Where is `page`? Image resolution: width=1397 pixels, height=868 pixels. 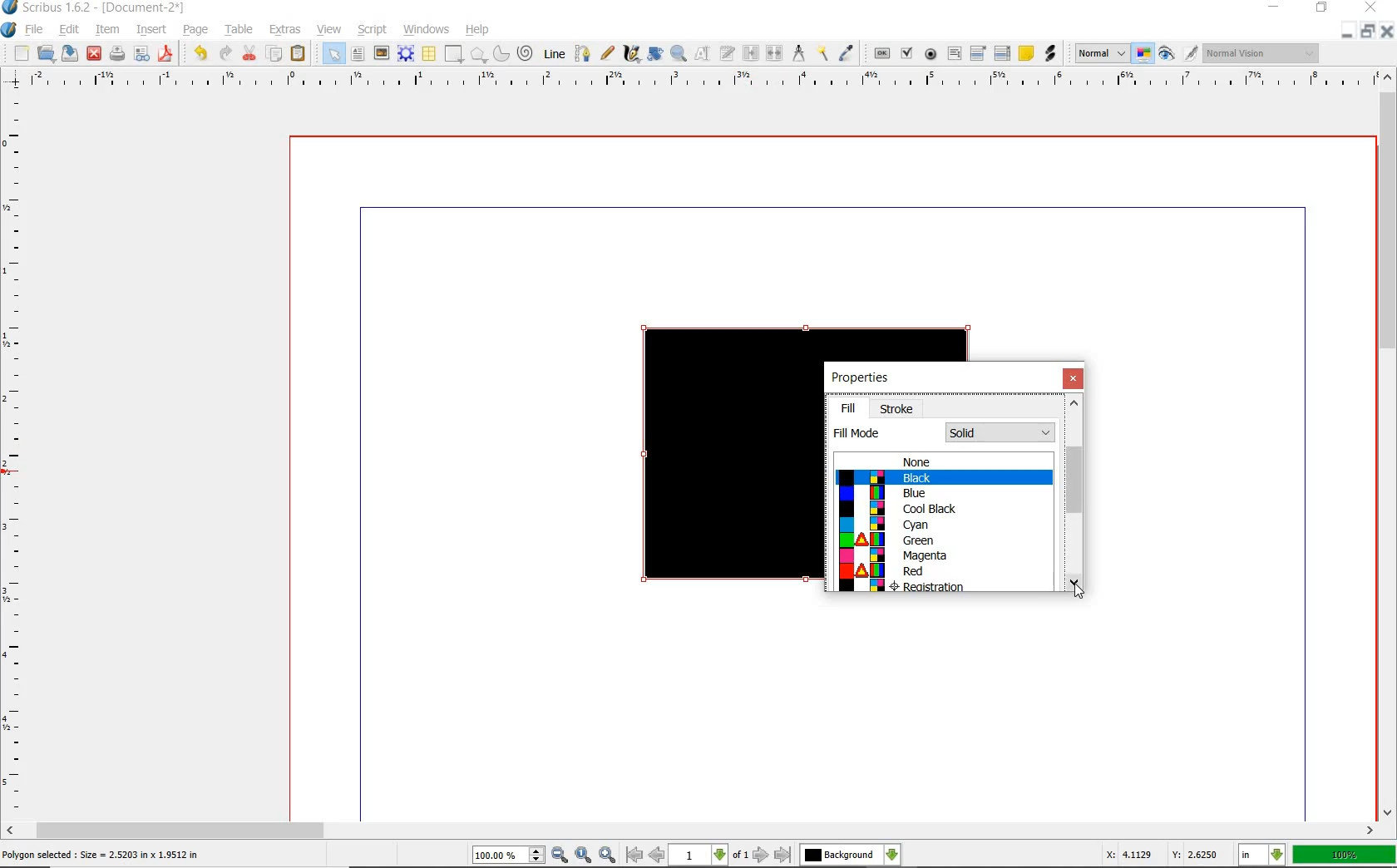
page is located at coordinates (196, 32).